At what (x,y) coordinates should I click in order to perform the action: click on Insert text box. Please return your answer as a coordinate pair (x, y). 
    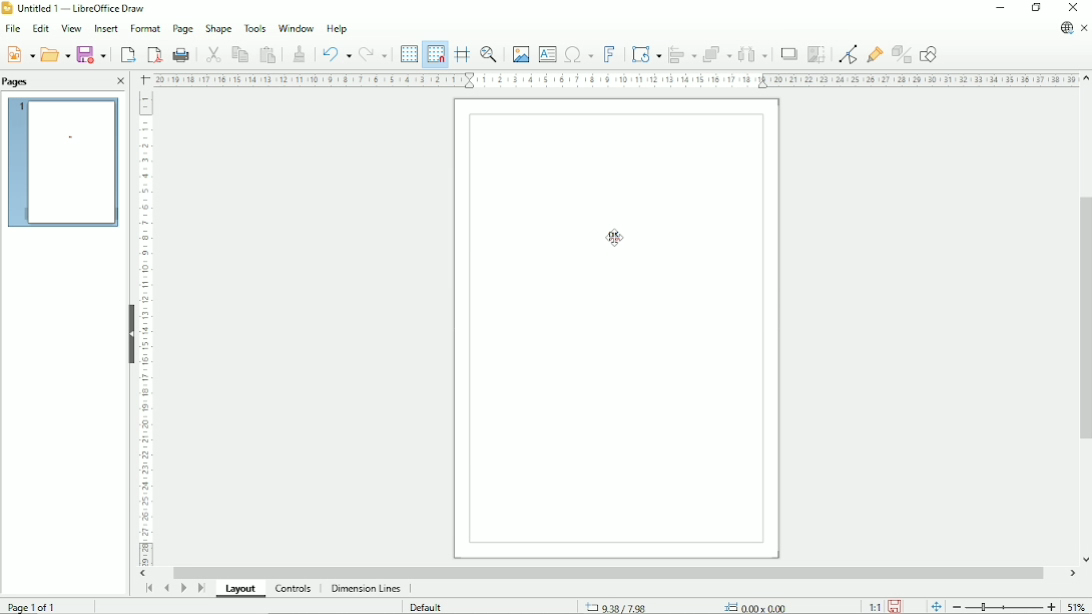
    Looking at the image, I should click on (547, 53).